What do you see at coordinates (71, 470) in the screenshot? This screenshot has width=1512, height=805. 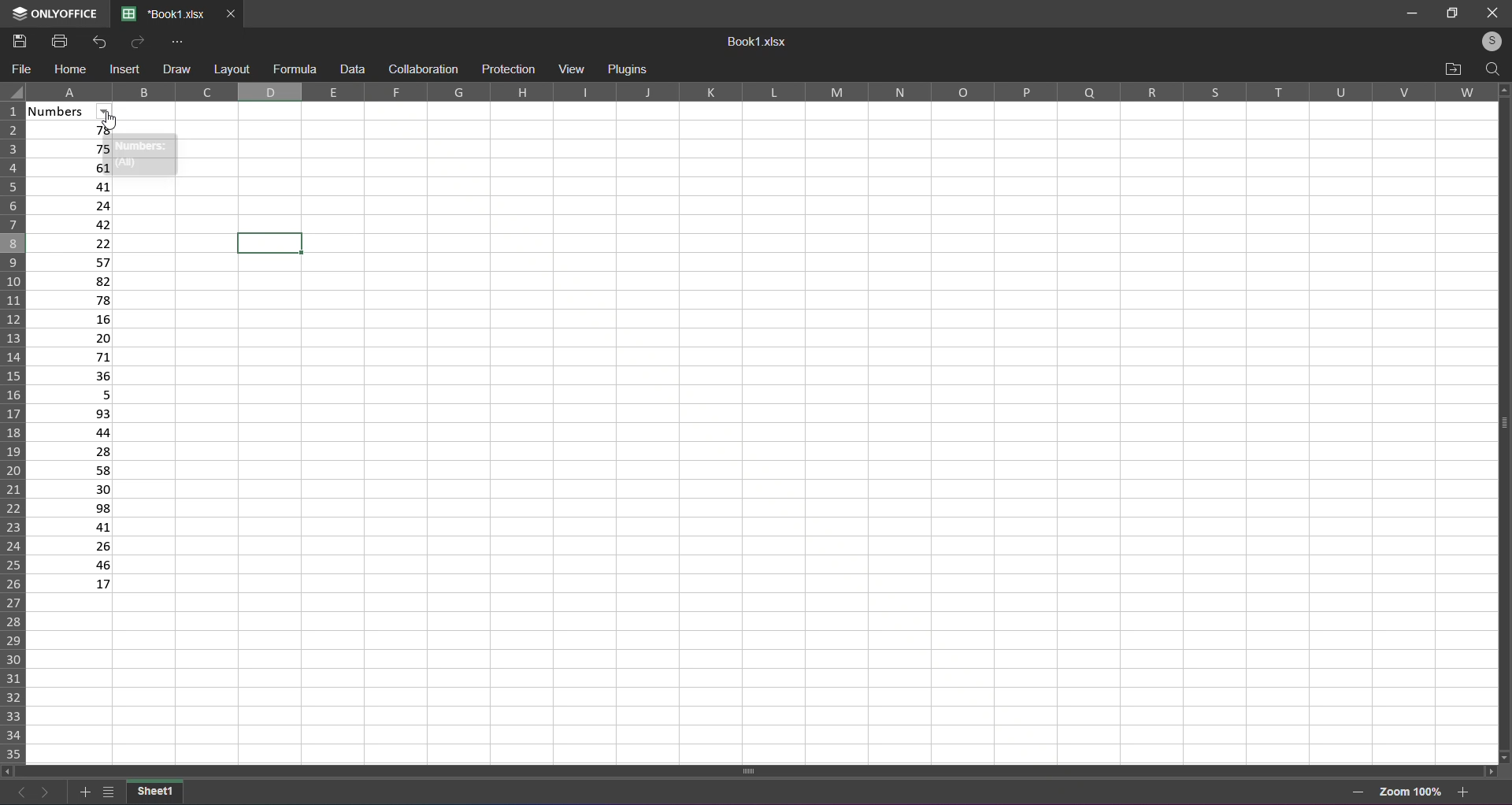 I see `58` at bounding box center [71, 470].